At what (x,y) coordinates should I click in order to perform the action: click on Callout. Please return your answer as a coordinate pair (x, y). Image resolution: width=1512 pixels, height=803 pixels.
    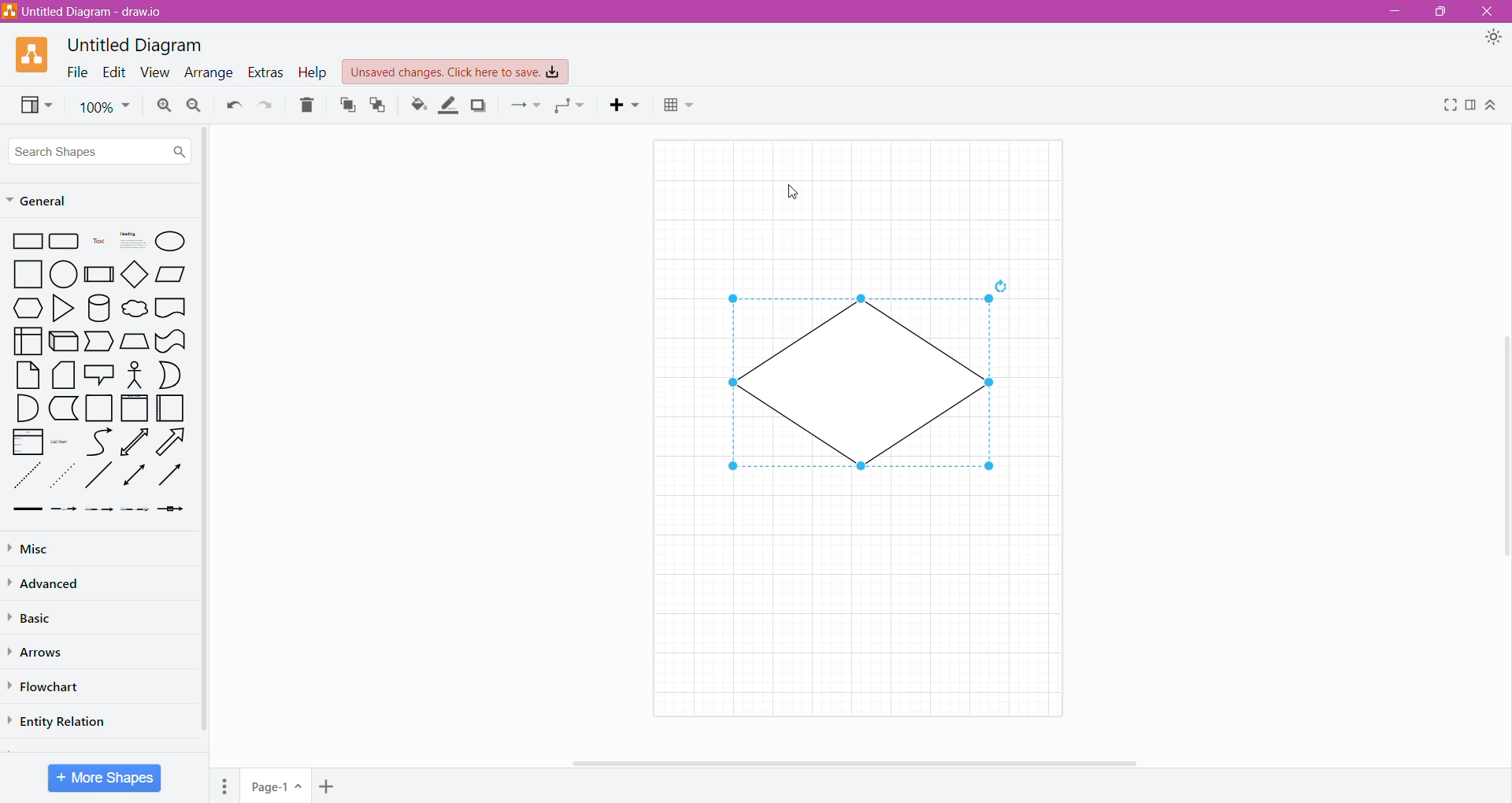
    Looking at the image, I should click on (98, 376).